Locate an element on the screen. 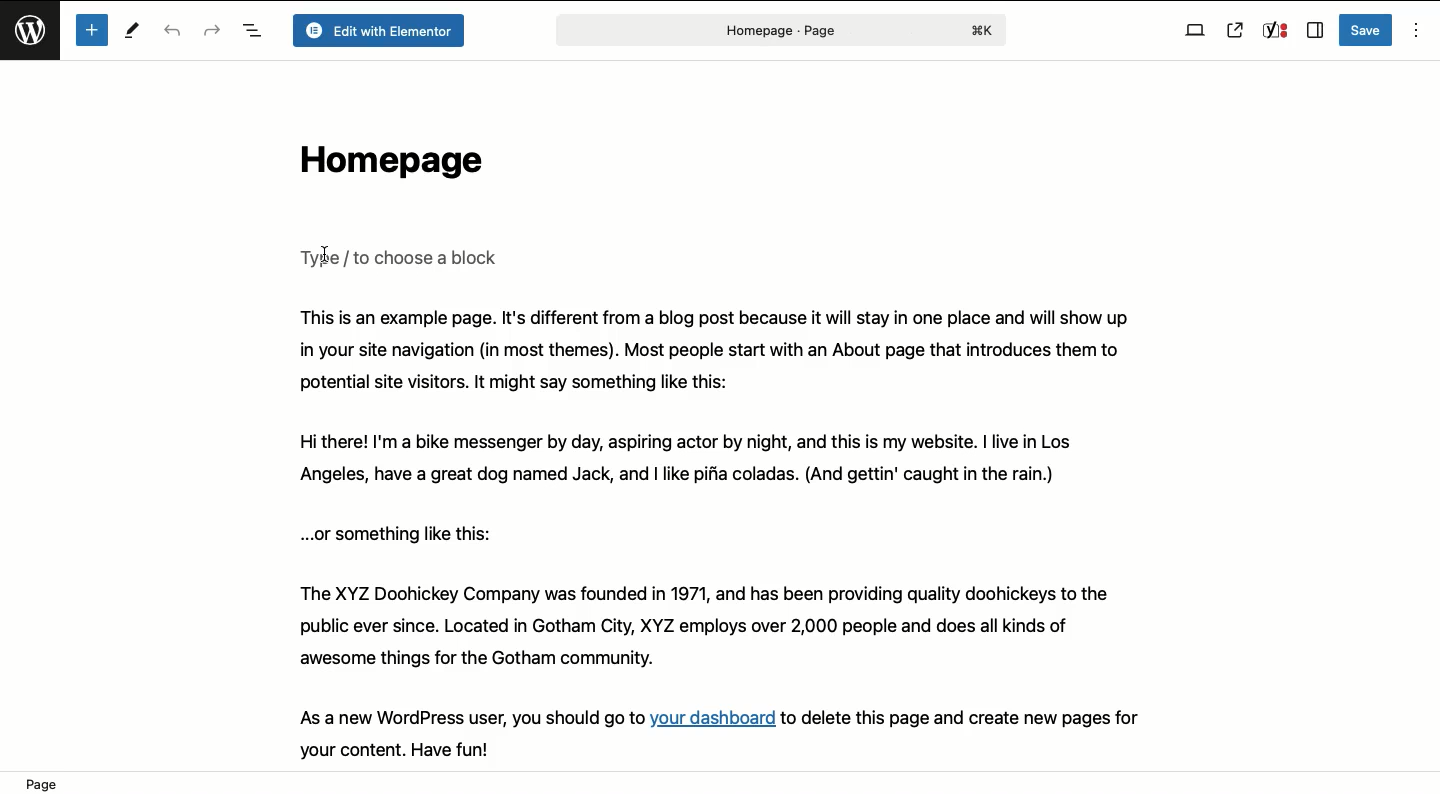 This screenshot has width=1440, height=794. Redo is located at coordinates (212, 29).